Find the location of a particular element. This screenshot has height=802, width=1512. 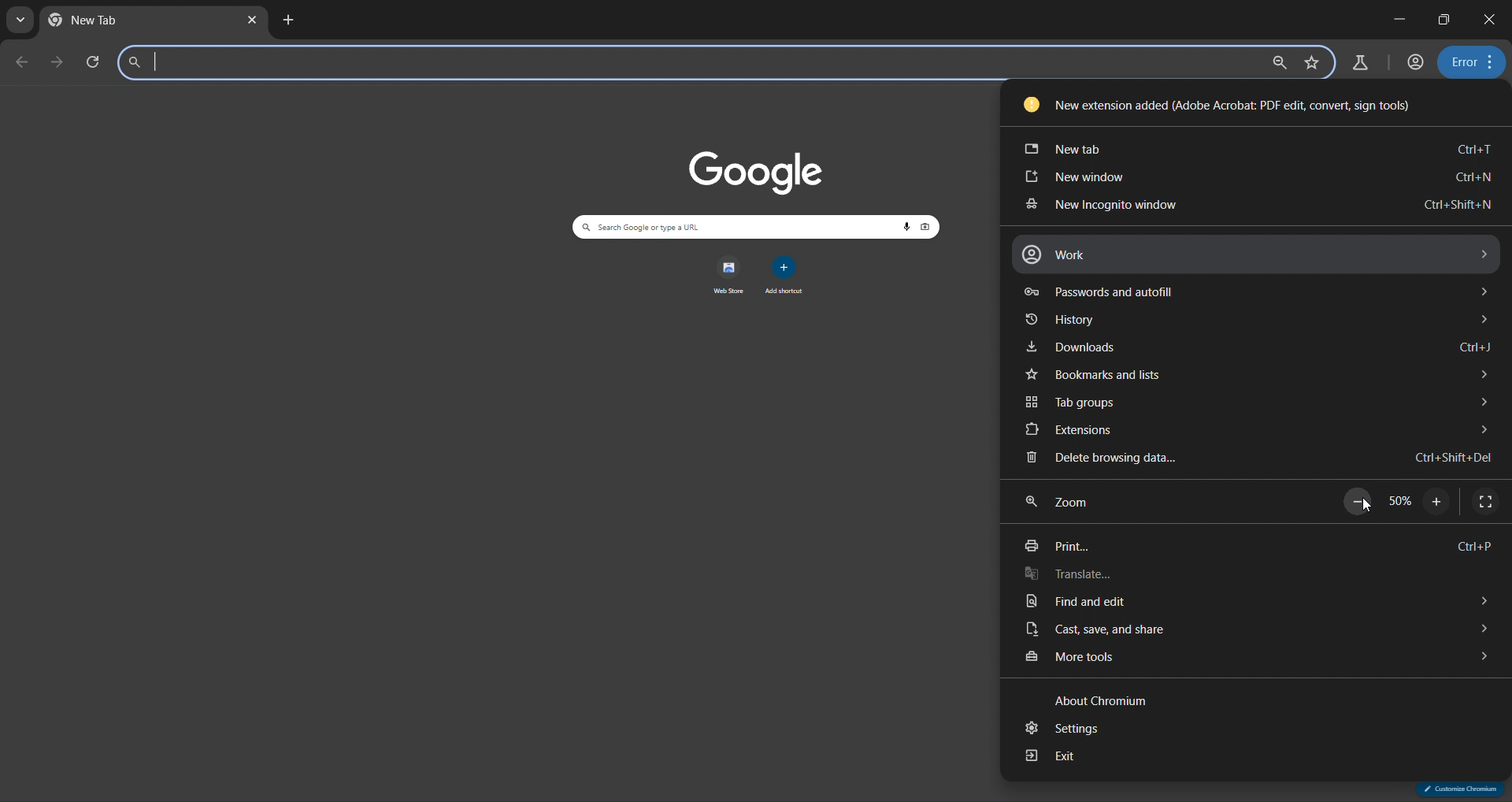

zoom is located at coordinates (1060, 503).